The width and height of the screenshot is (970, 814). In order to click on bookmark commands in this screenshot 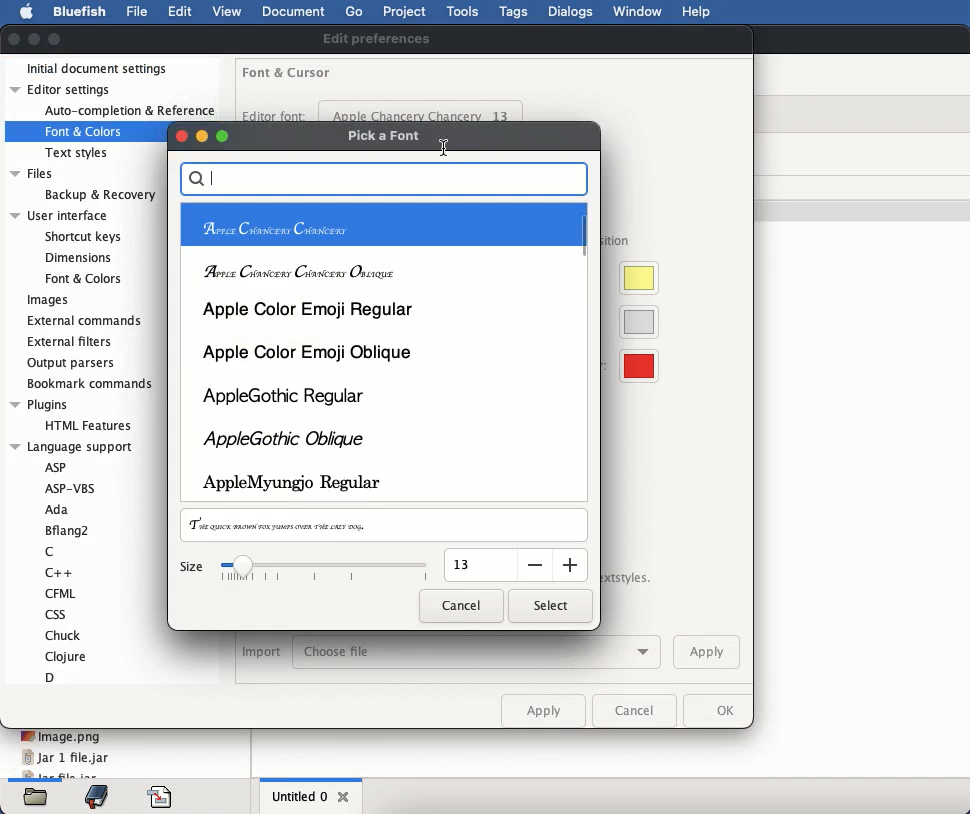, I will do `click(90, 384)`.